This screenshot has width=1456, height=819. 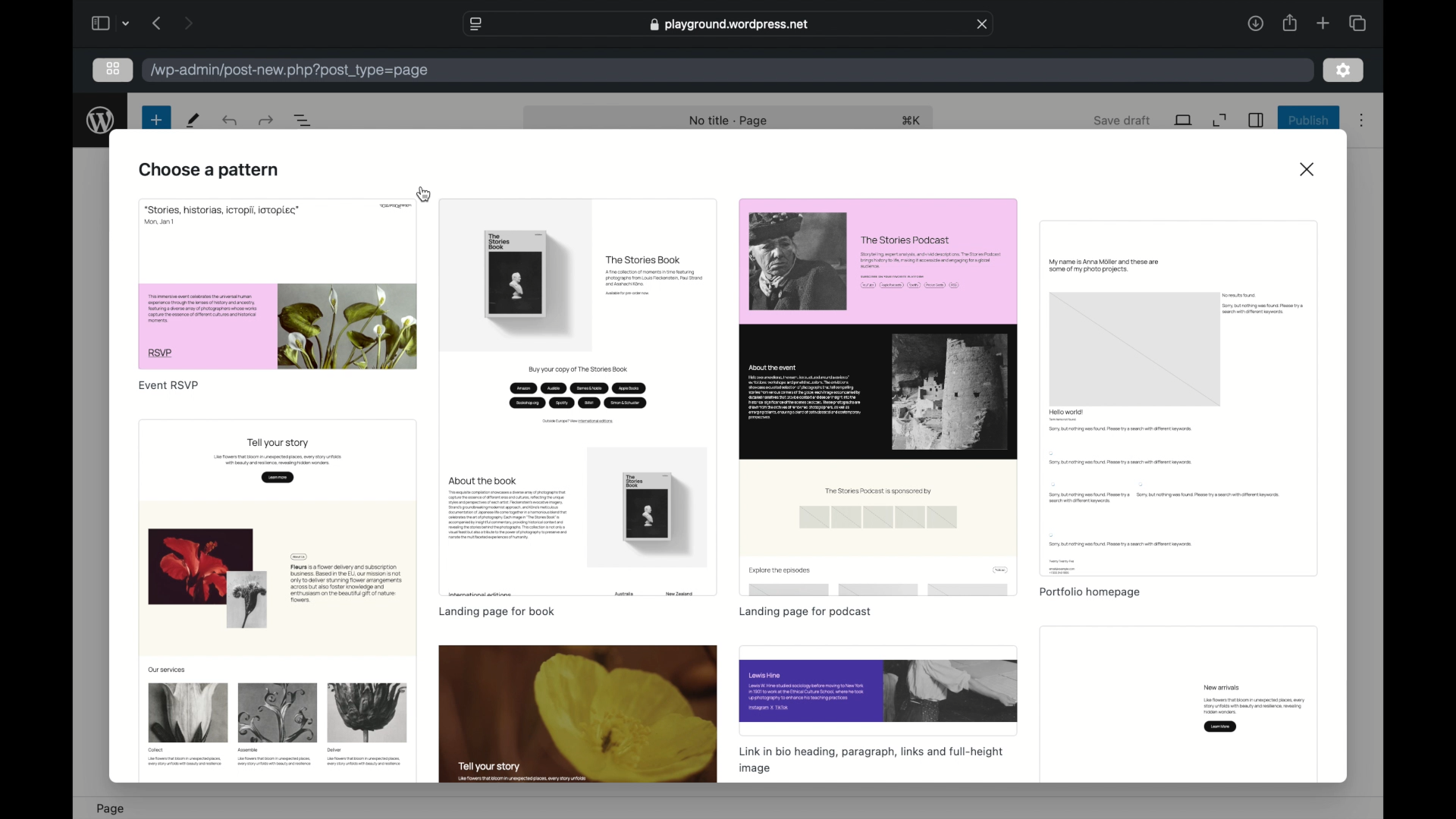 I want to click on redo, so click(x=229, y=121).